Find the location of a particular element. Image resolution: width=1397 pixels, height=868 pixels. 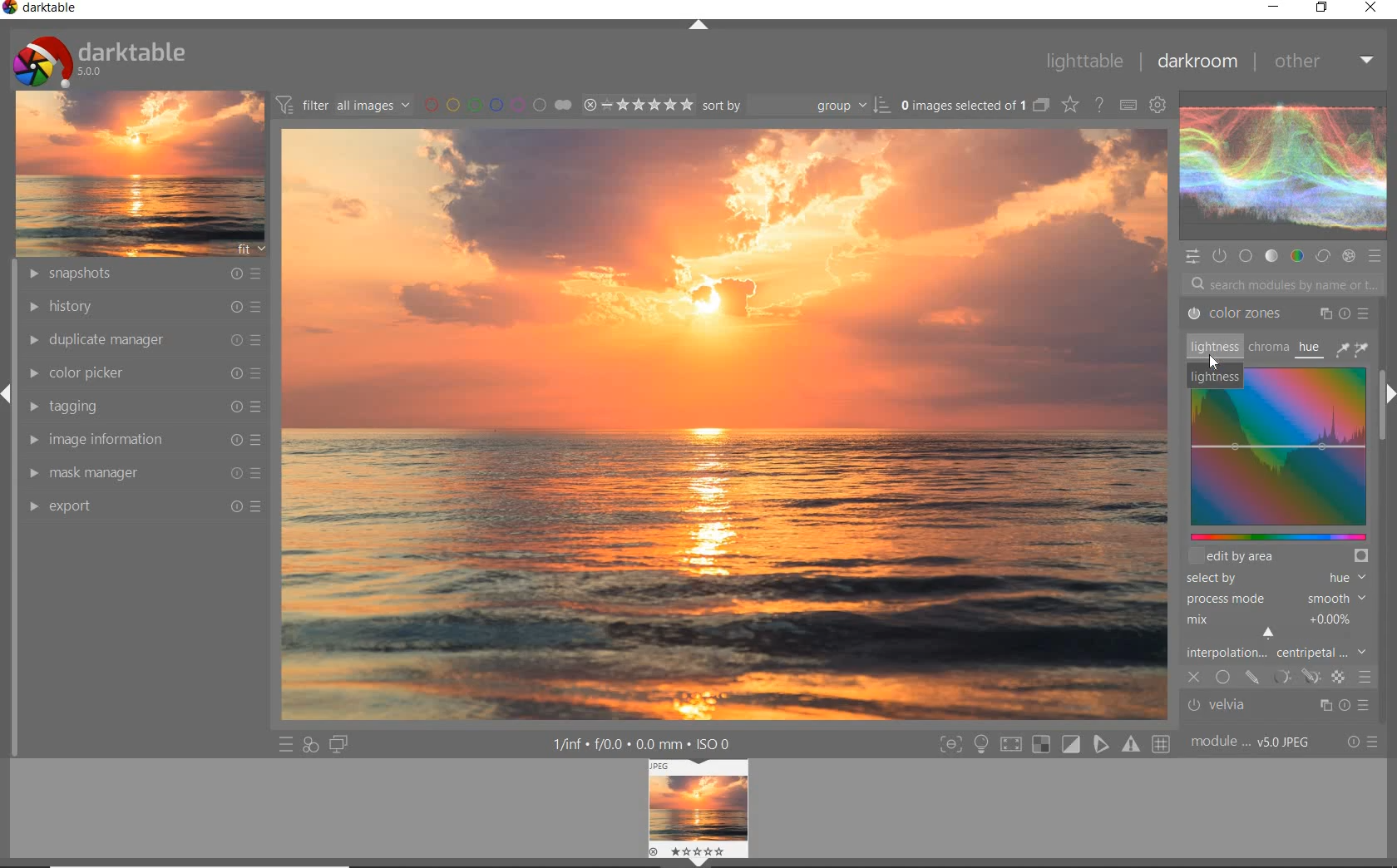

EDIT BY AREA is located at coordinates (1281, 555).